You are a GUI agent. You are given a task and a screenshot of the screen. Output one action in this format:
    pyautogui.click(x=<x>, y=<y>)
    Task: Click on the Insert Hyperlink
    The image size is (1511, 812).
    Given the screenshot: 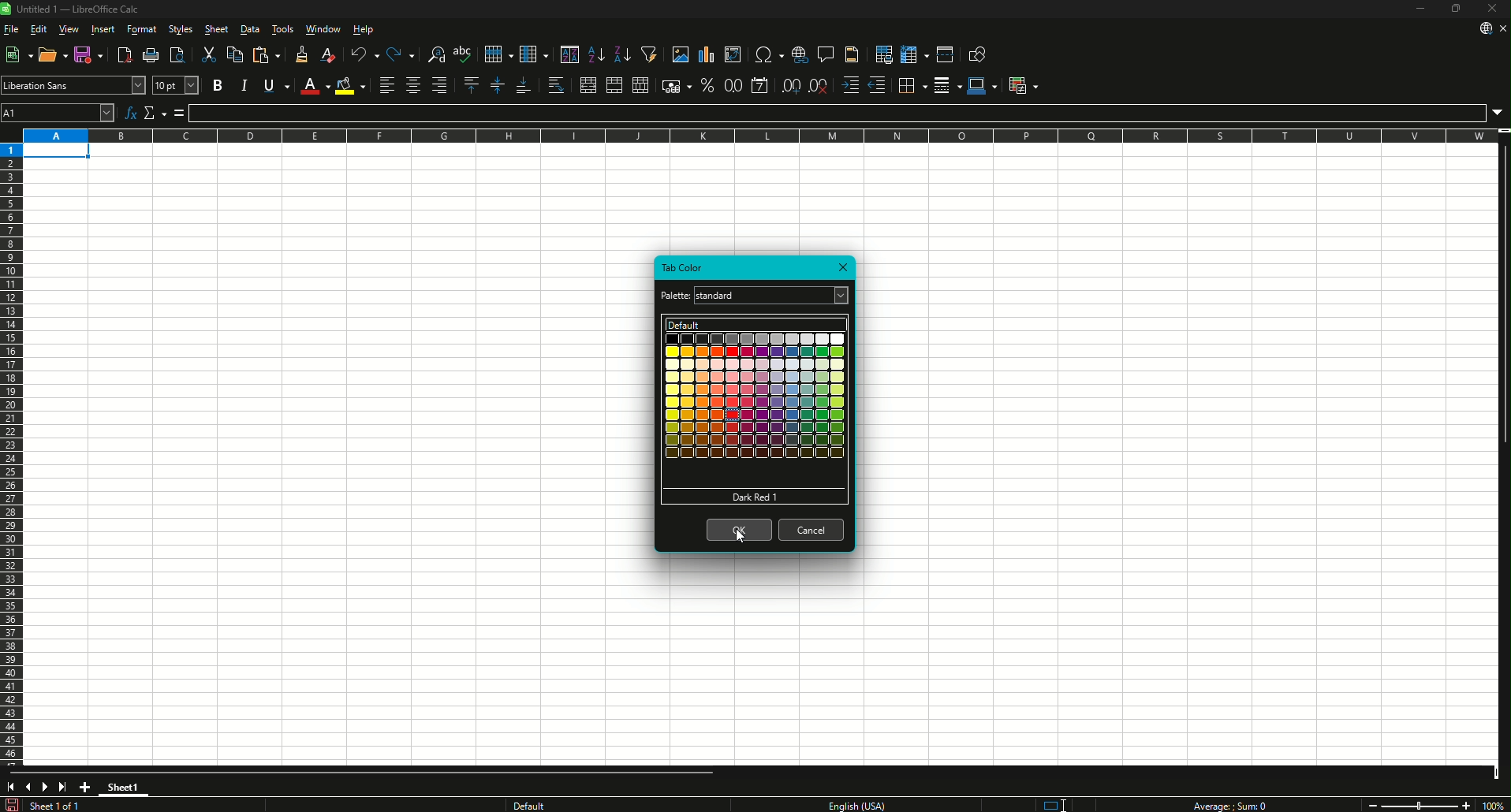 What is the action you would take?
    pyautogui.click(x=800, y=54)
    